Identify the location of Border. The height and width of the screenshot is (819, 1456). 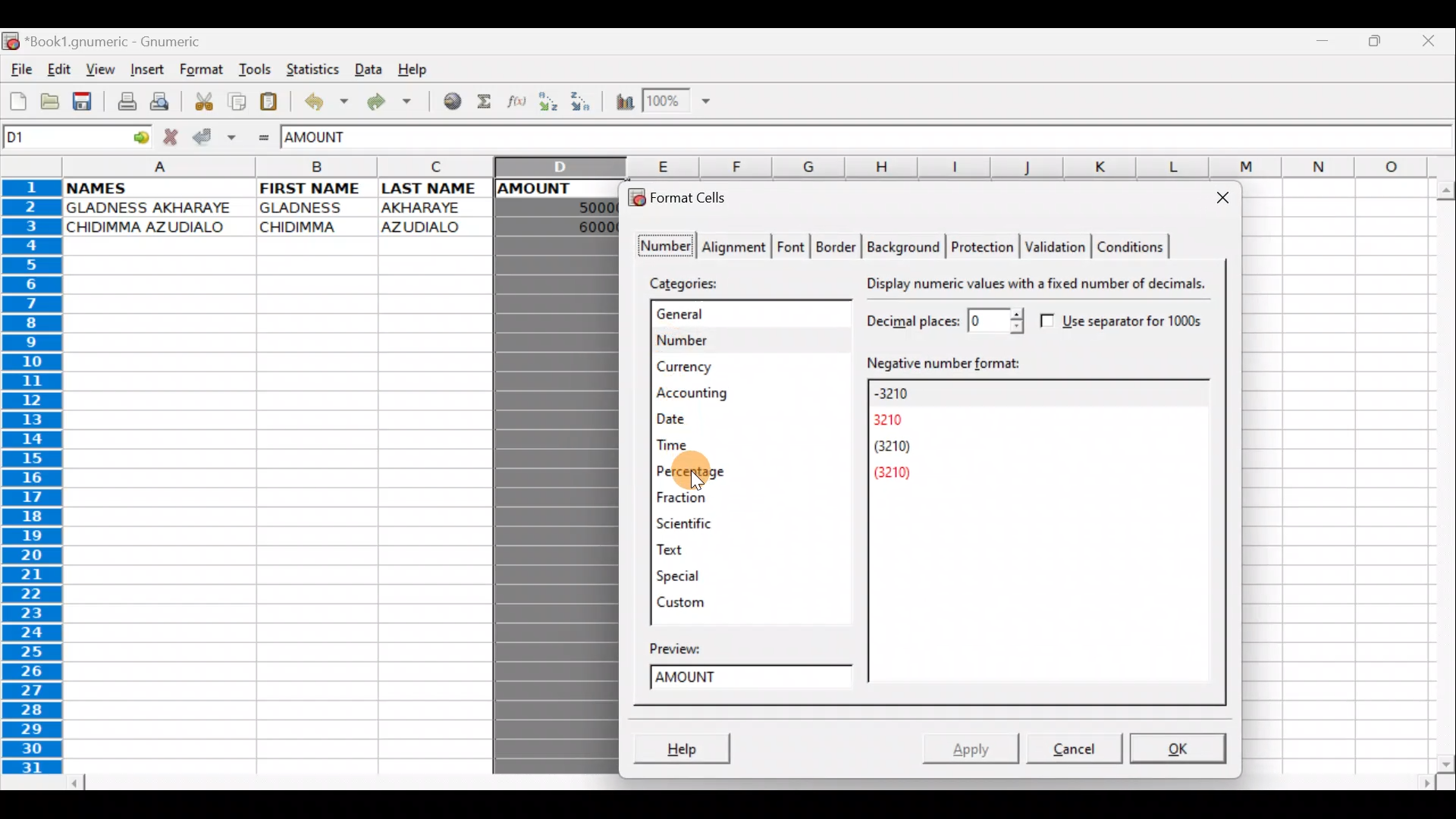
(839, 245).